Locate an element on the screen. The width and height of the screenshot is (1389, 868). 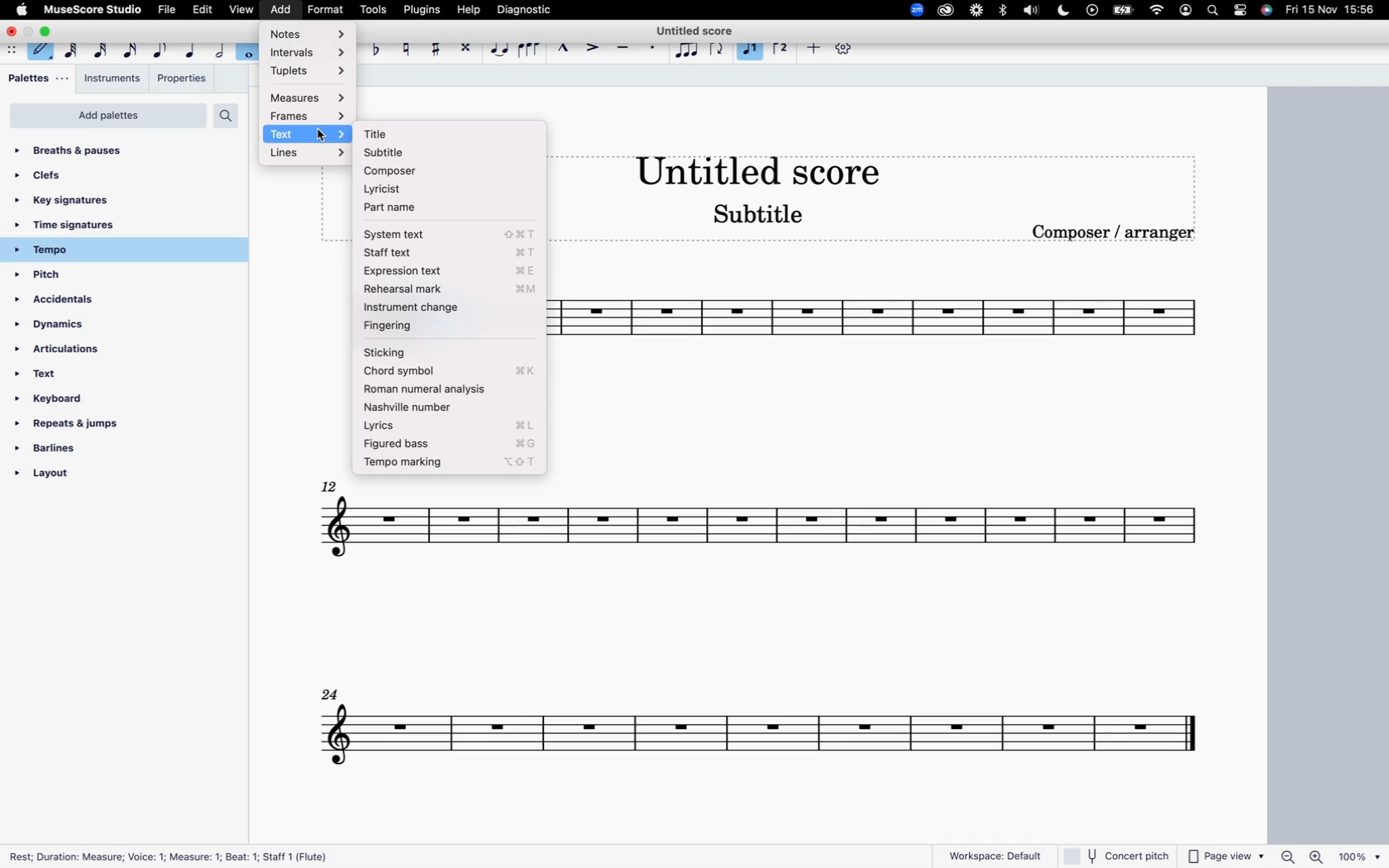
score title is located at coordinates (699, 29).